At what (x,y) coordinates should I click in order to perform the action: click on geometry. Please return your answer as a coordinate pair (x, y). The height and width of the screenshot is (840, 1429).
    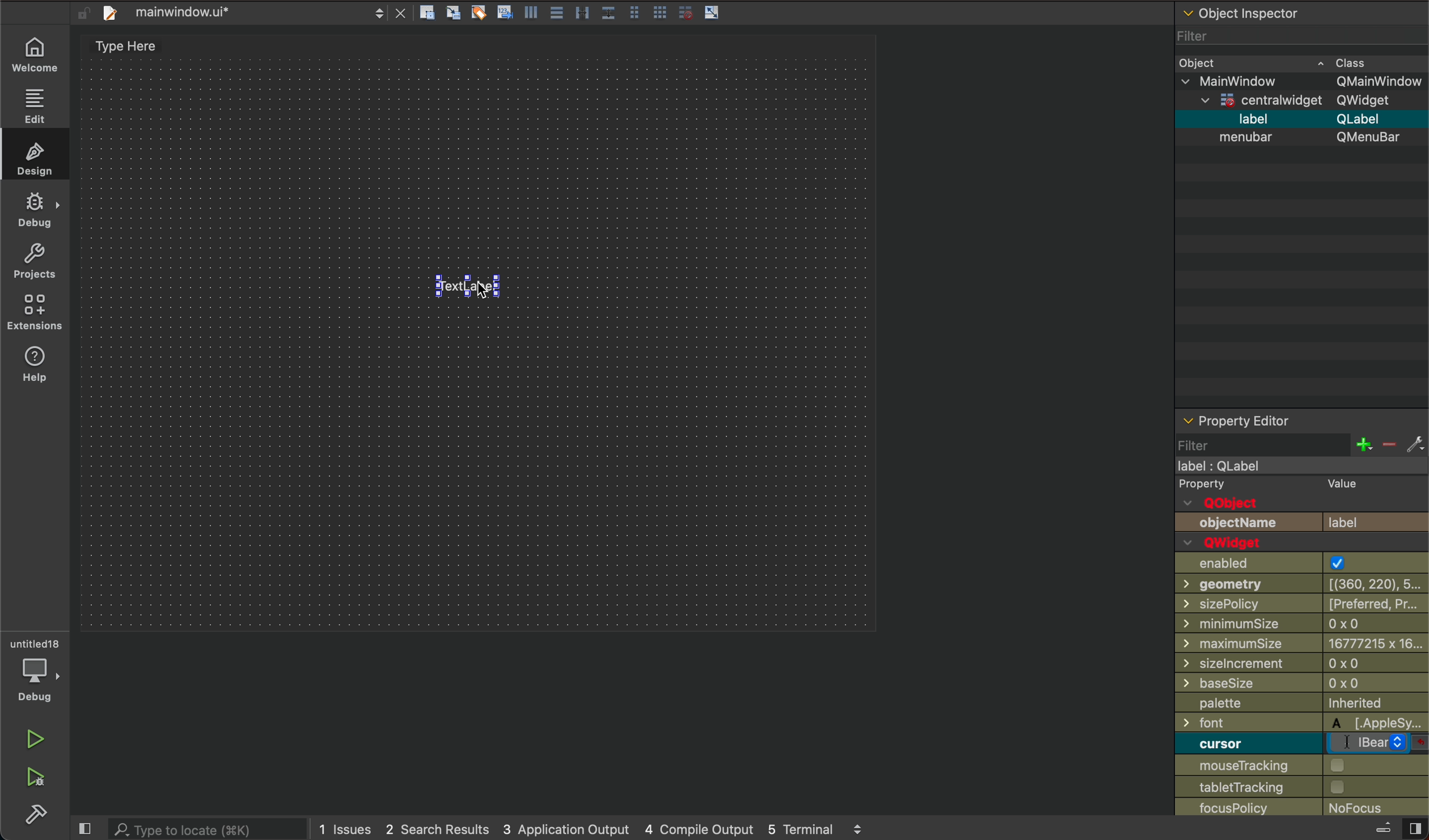
    Looking at the image, I should click on (1244, 583).